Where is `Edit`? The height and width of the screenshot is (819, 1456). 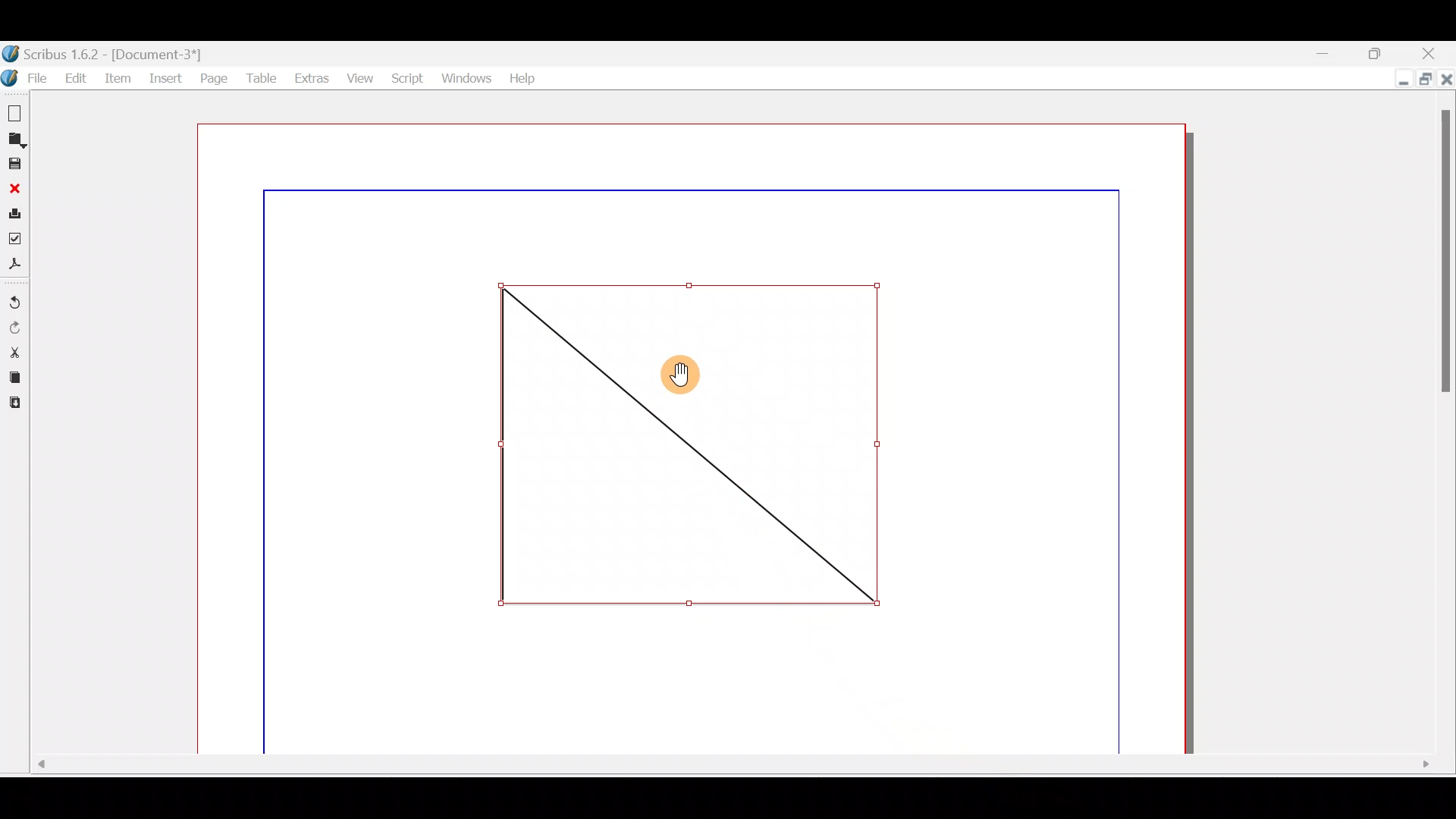 Edit is located at coordinates (74, 77).